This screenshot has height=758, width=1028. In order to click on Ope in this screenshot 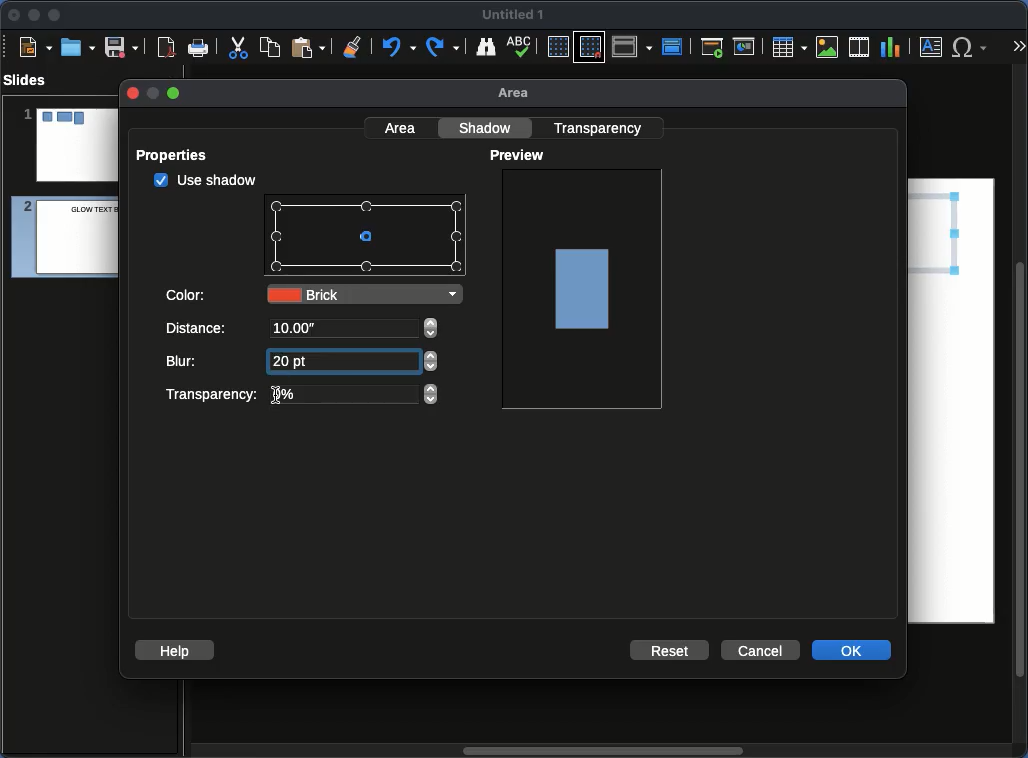, I will do `click(78, 46)`.